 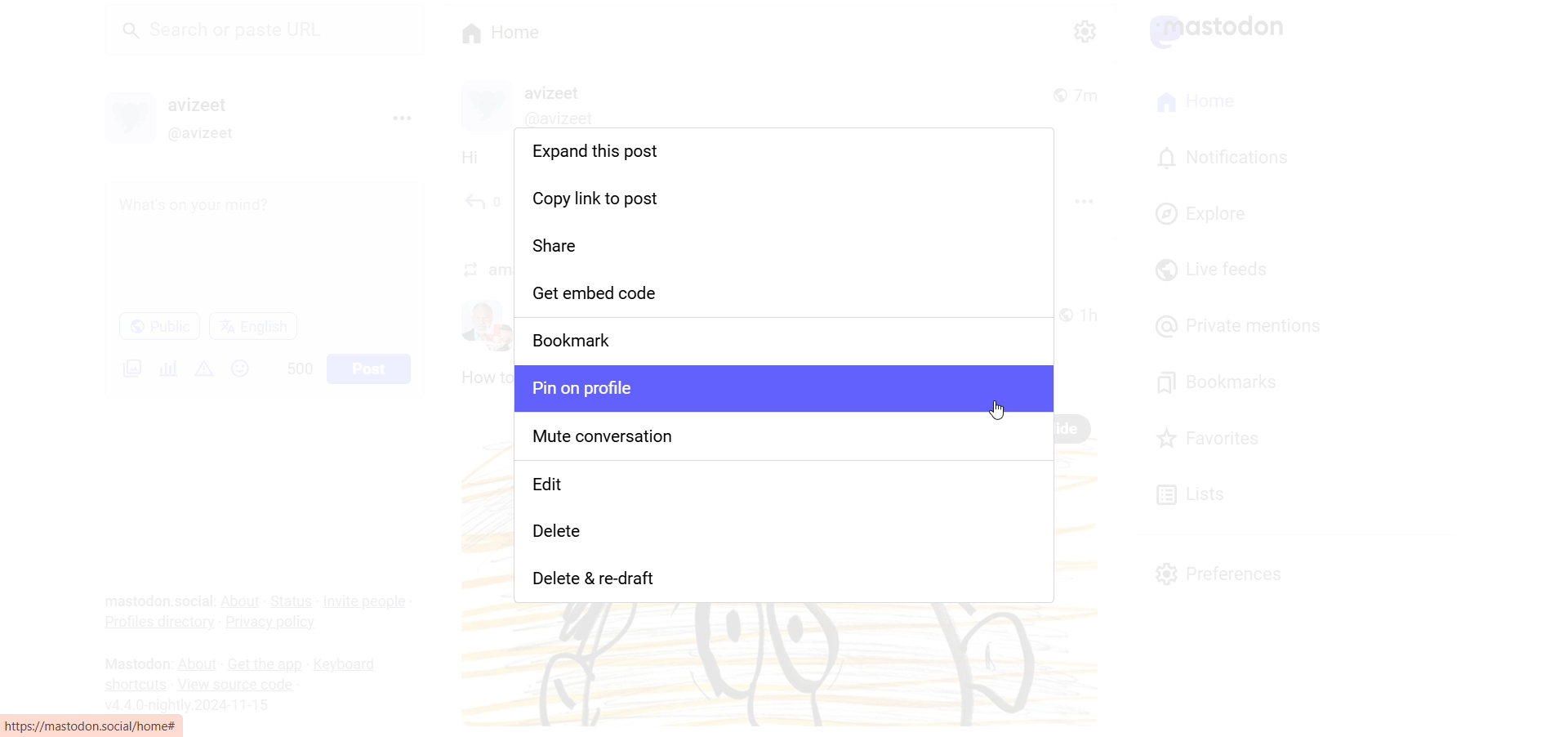 I want to click on Mute Conversation, so click(x=786, y=440).